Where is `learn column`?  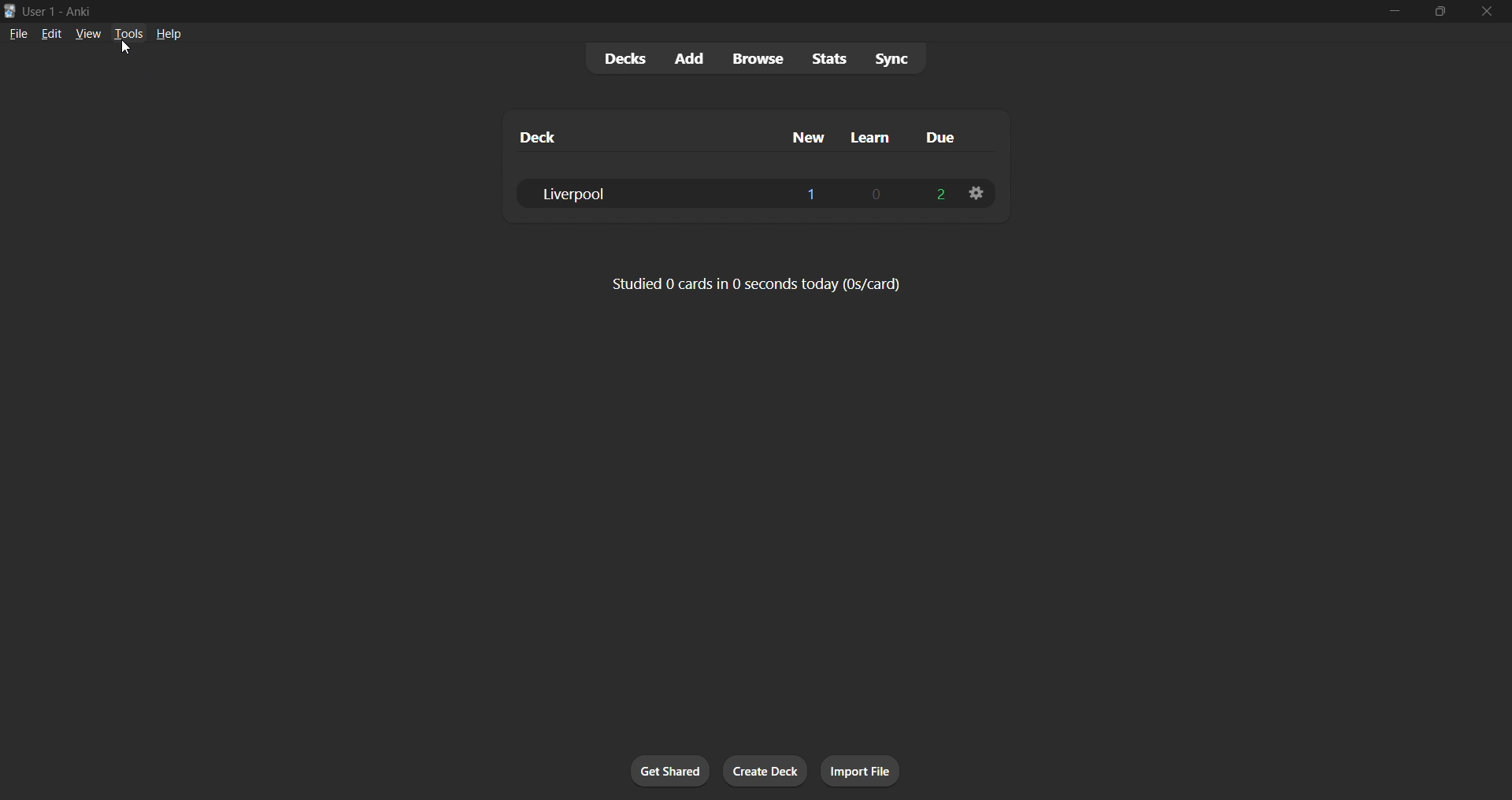 learn column is located at coordinates (879, 139).